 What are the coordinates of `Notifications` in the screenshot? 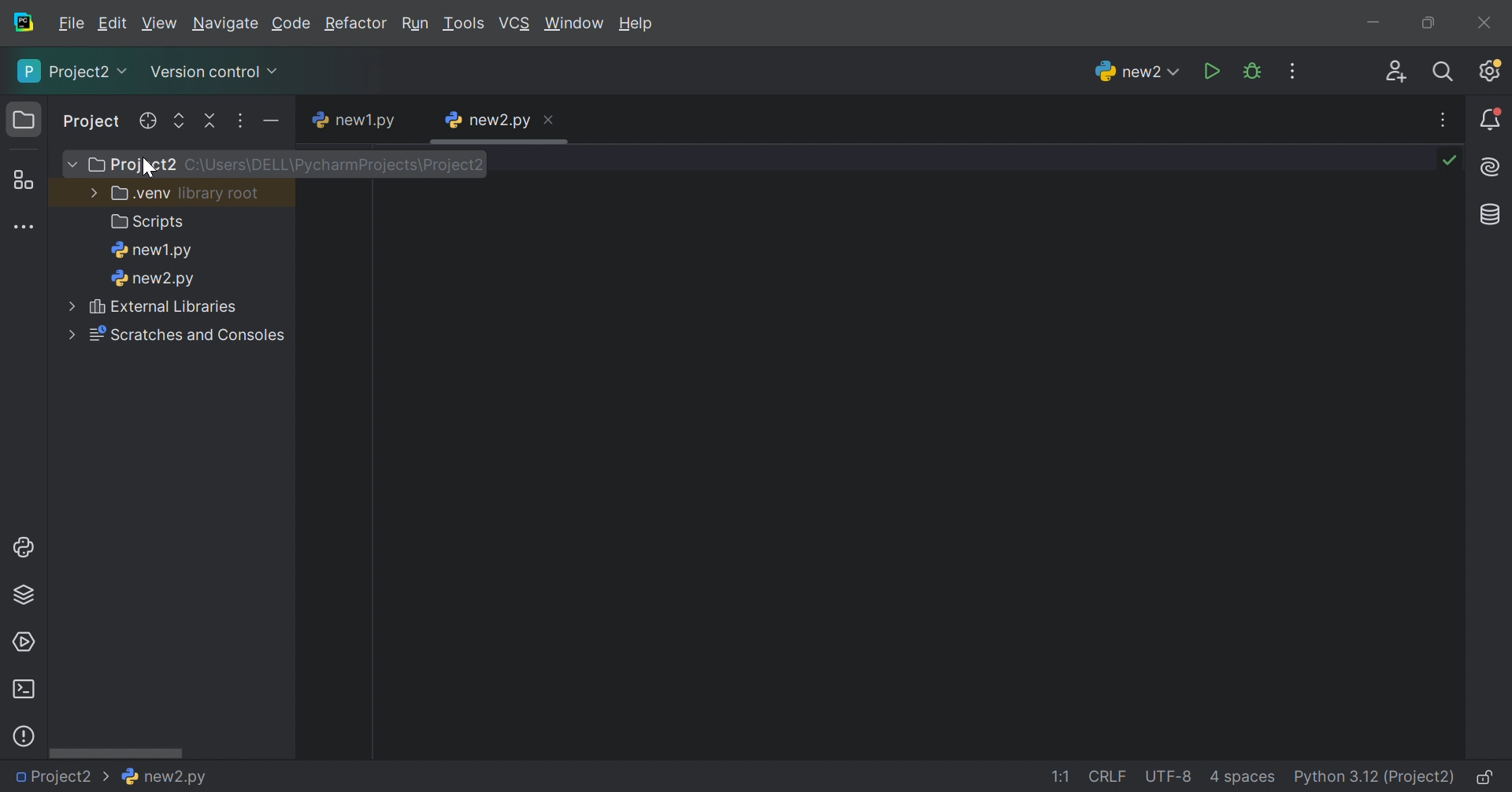 It's located at (1493, 119).